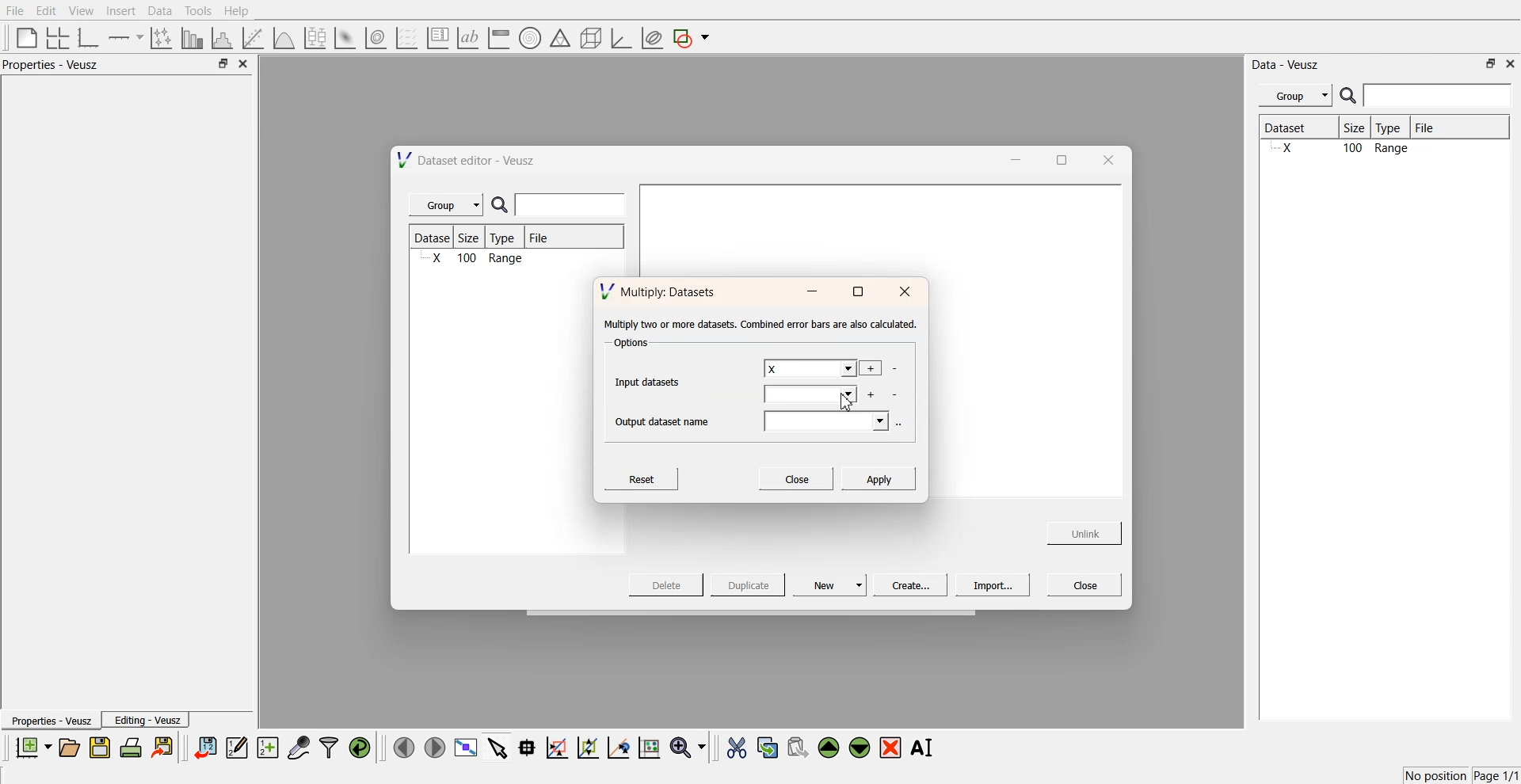 The image size is (1521, 784). What do you see at coordinates (1057, 158) in the screenshot?
I see `maximise` at bounding box center [1057, 158].